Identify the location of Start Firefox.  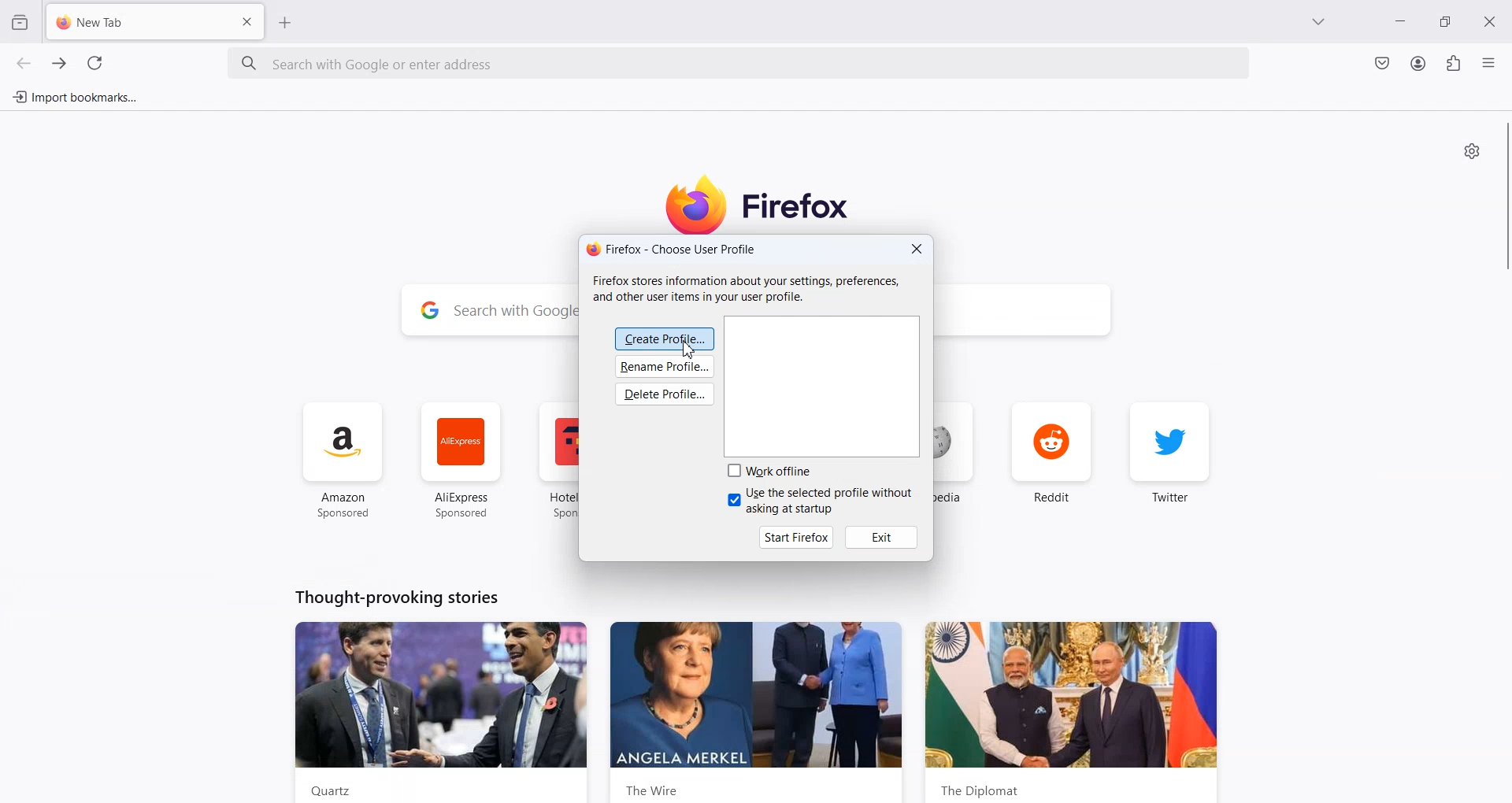
(797, 536).